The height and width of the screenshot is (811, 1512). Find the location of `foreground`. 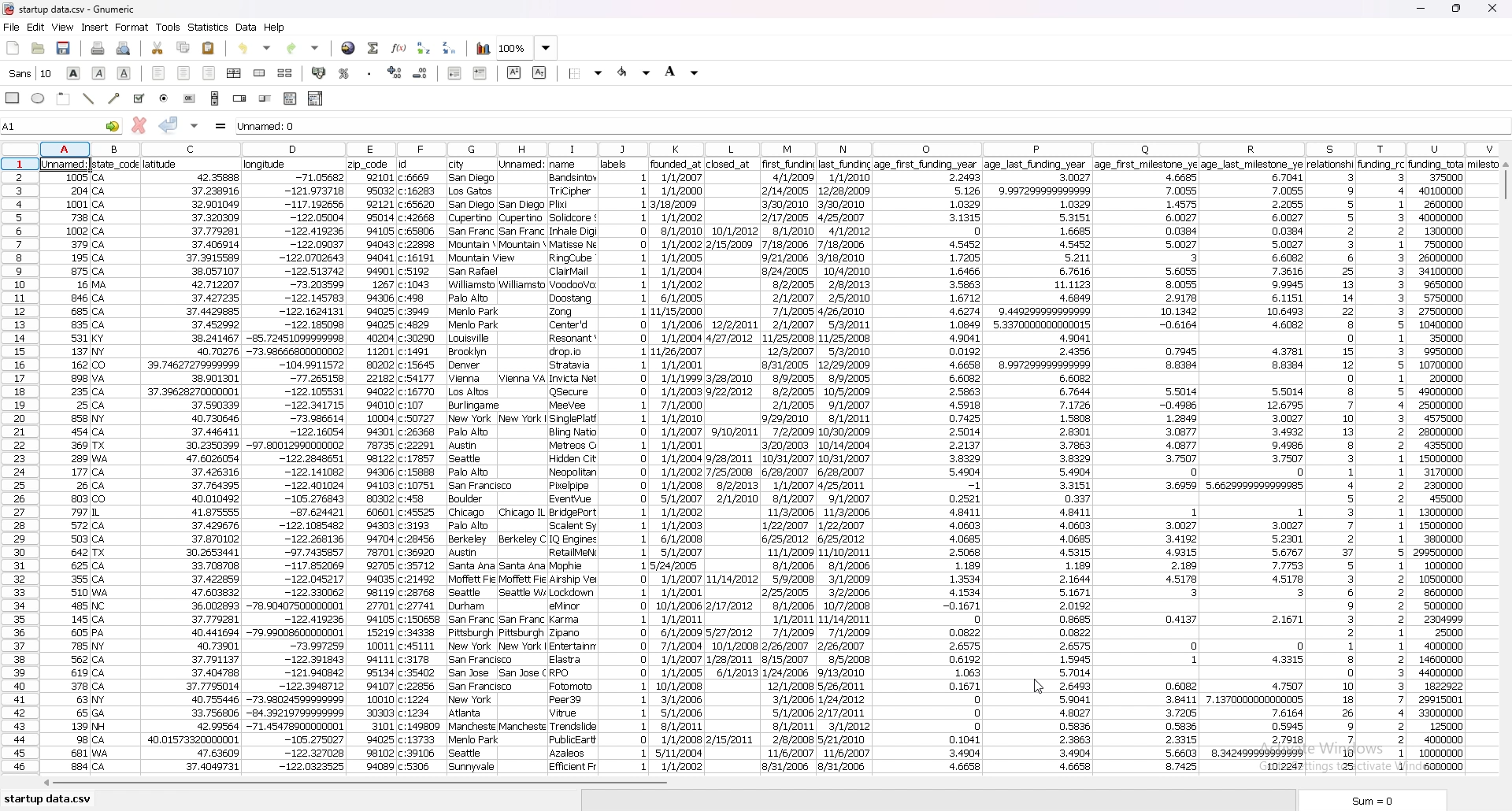

foreground is located at coordinates (635, 72).